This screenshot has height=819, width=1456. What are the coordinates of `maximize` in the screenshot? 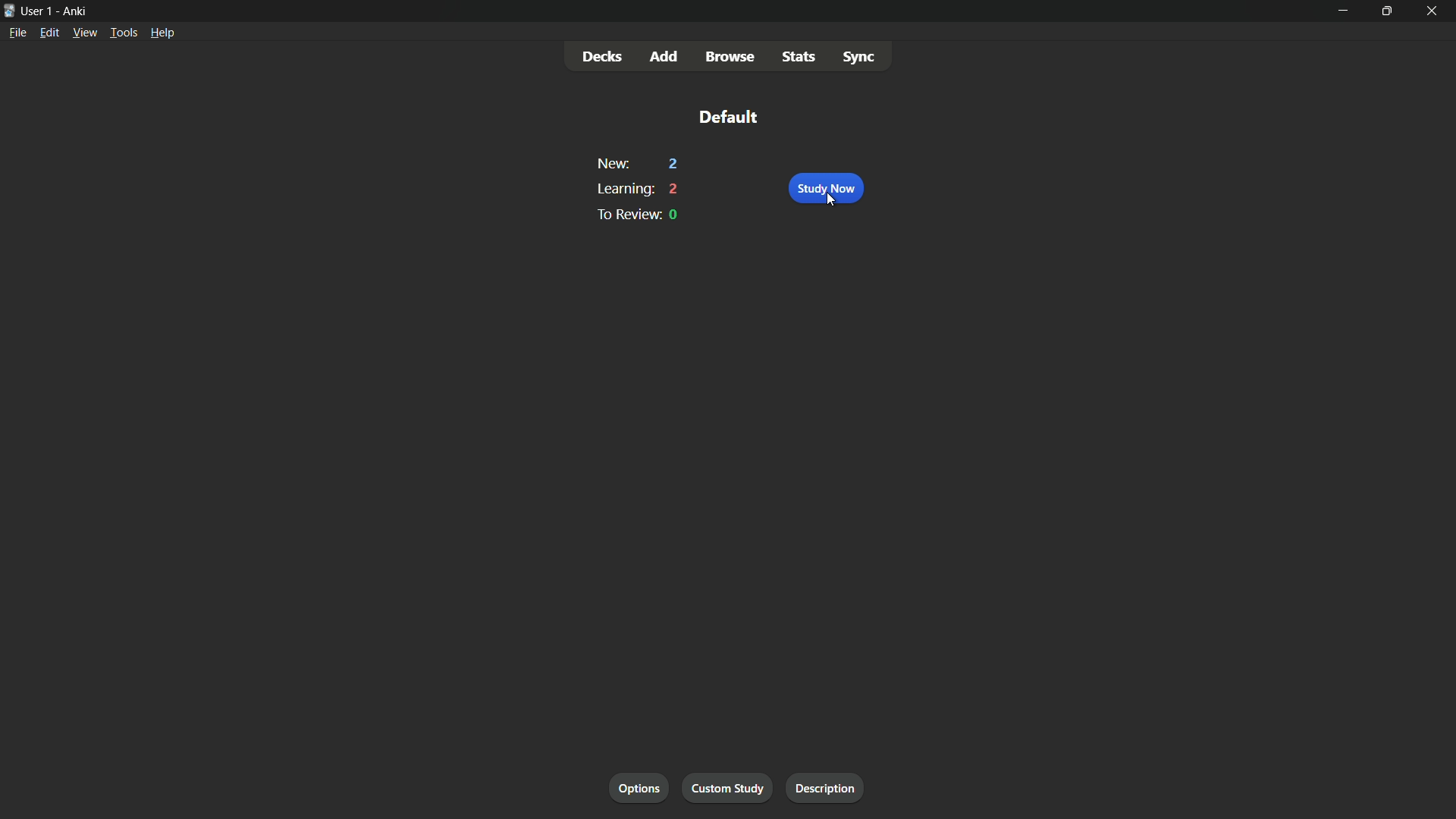 It's located at (1385, 11).